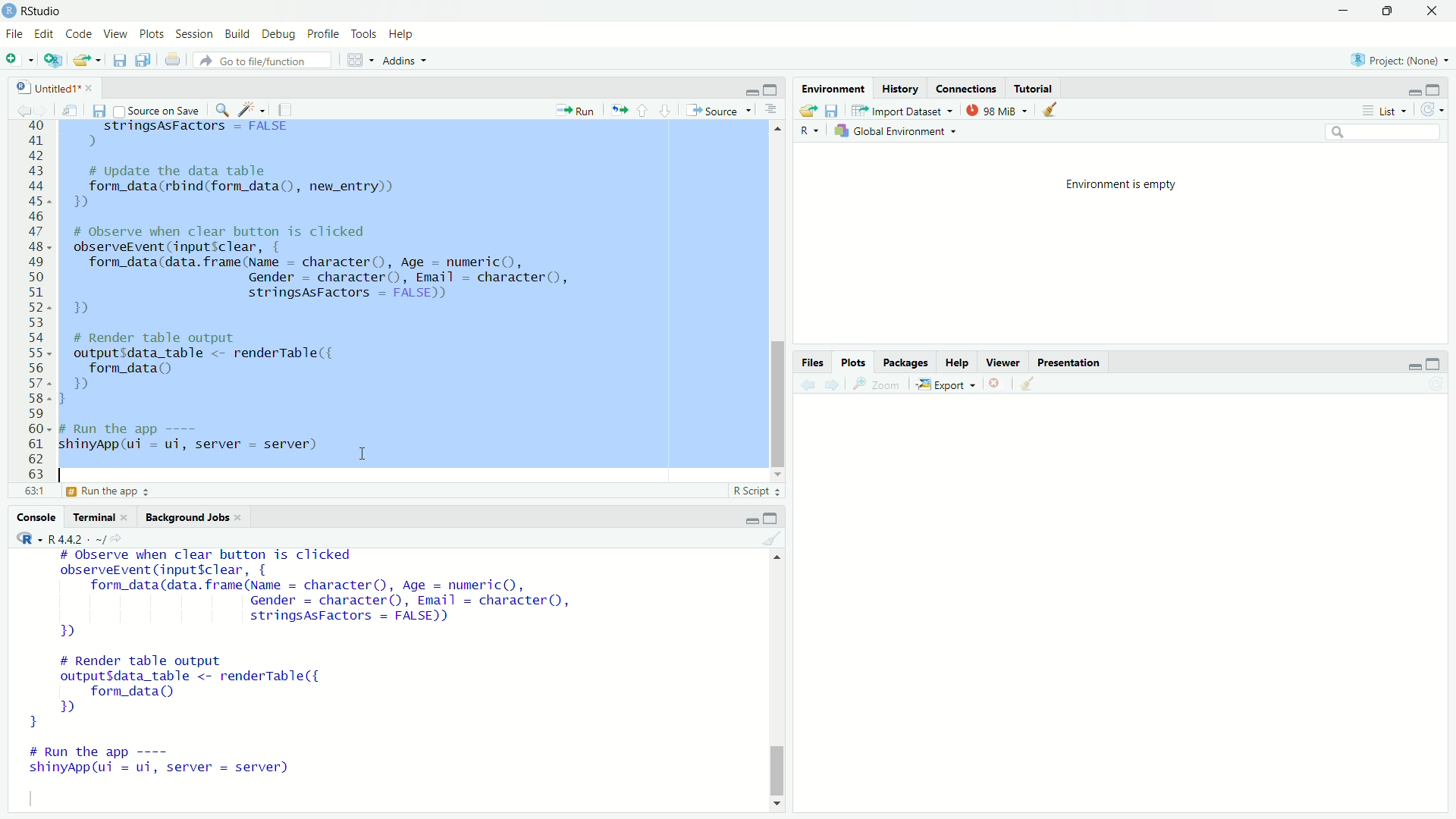 This screenshot has width=1456, height=819. I want to click on workspace panes, so click(358, 58).